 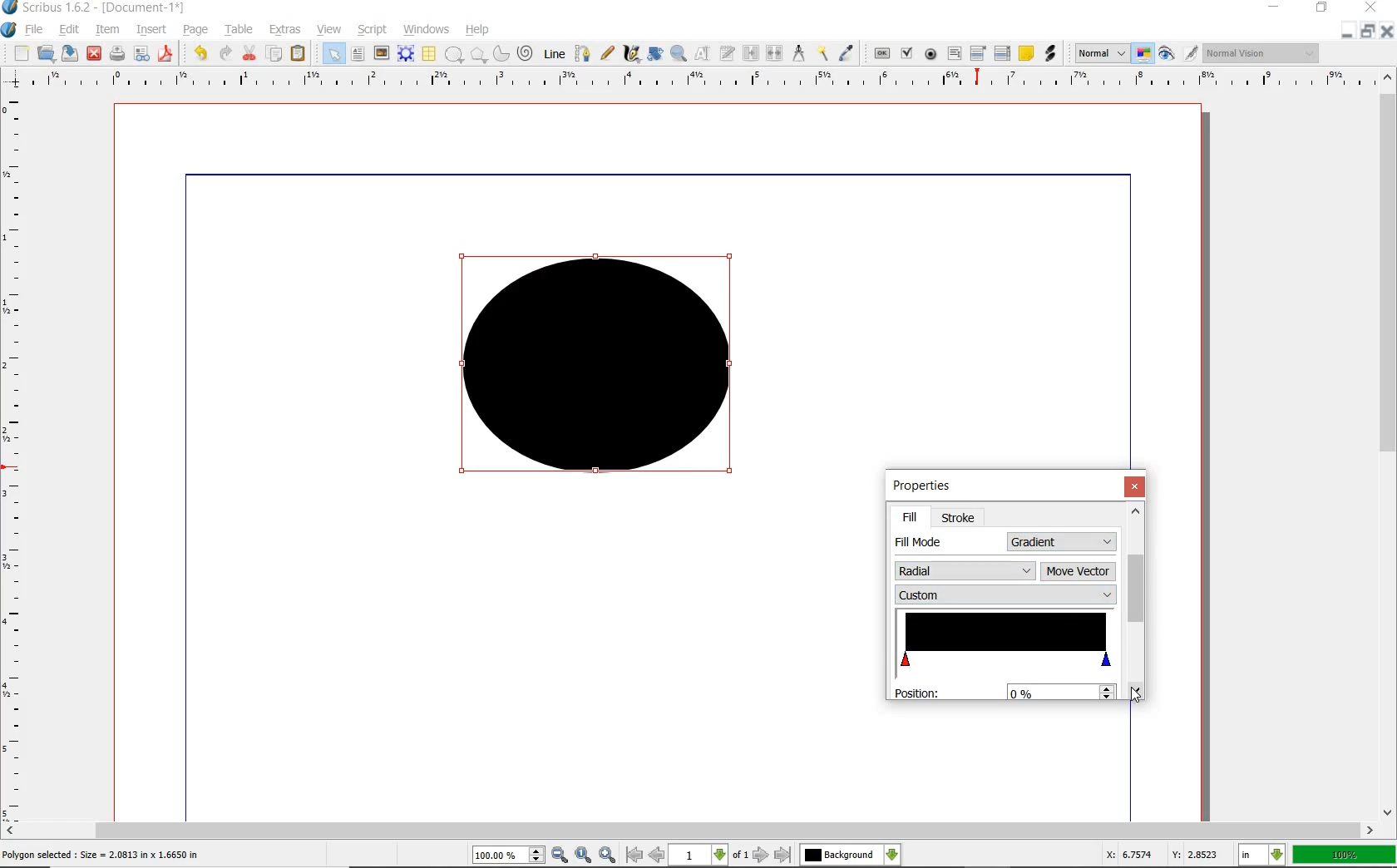 I want to click on scroll up, so click(x=1136, y=510).